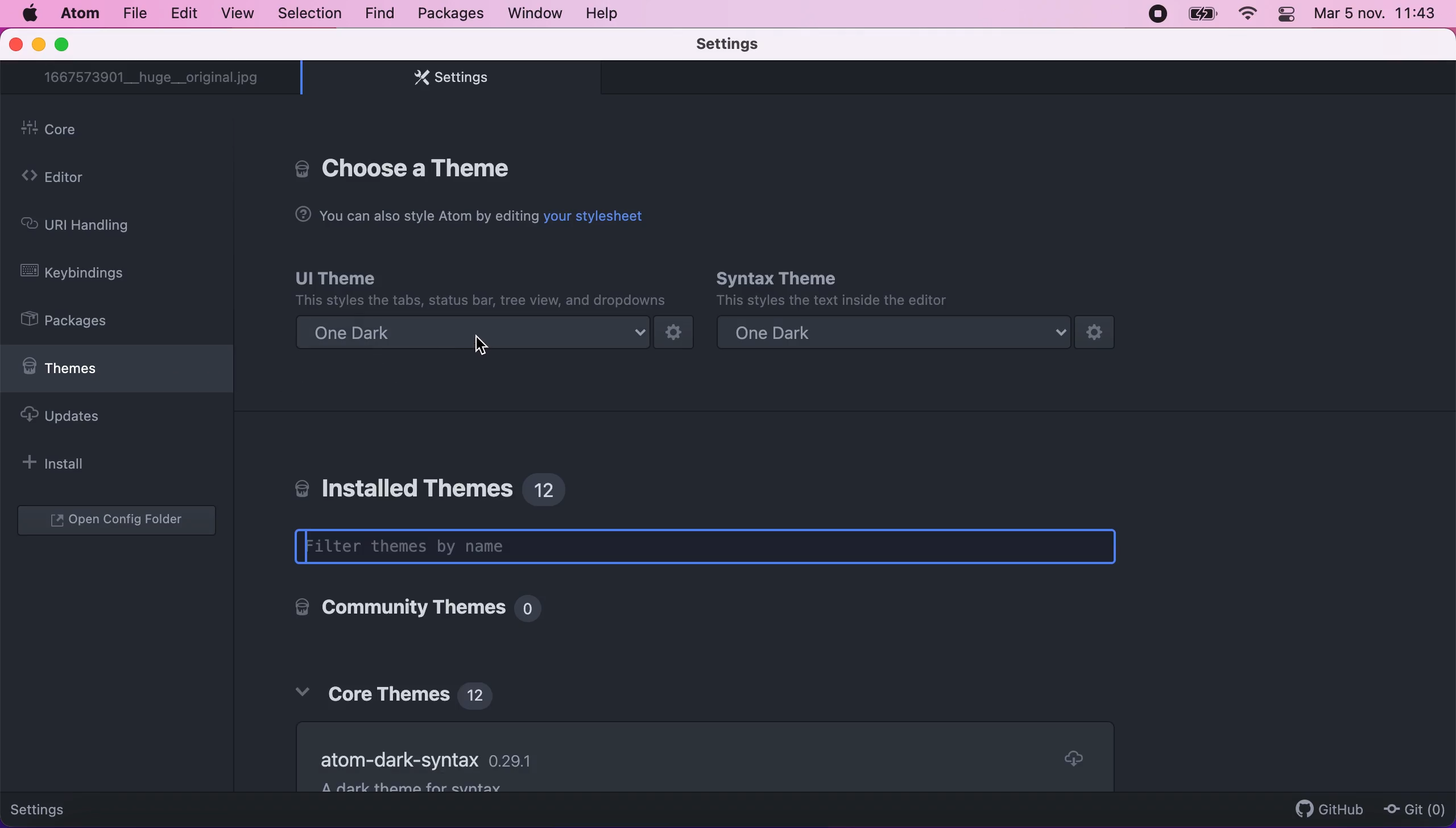  I want to click on settings, so click(61, 806).